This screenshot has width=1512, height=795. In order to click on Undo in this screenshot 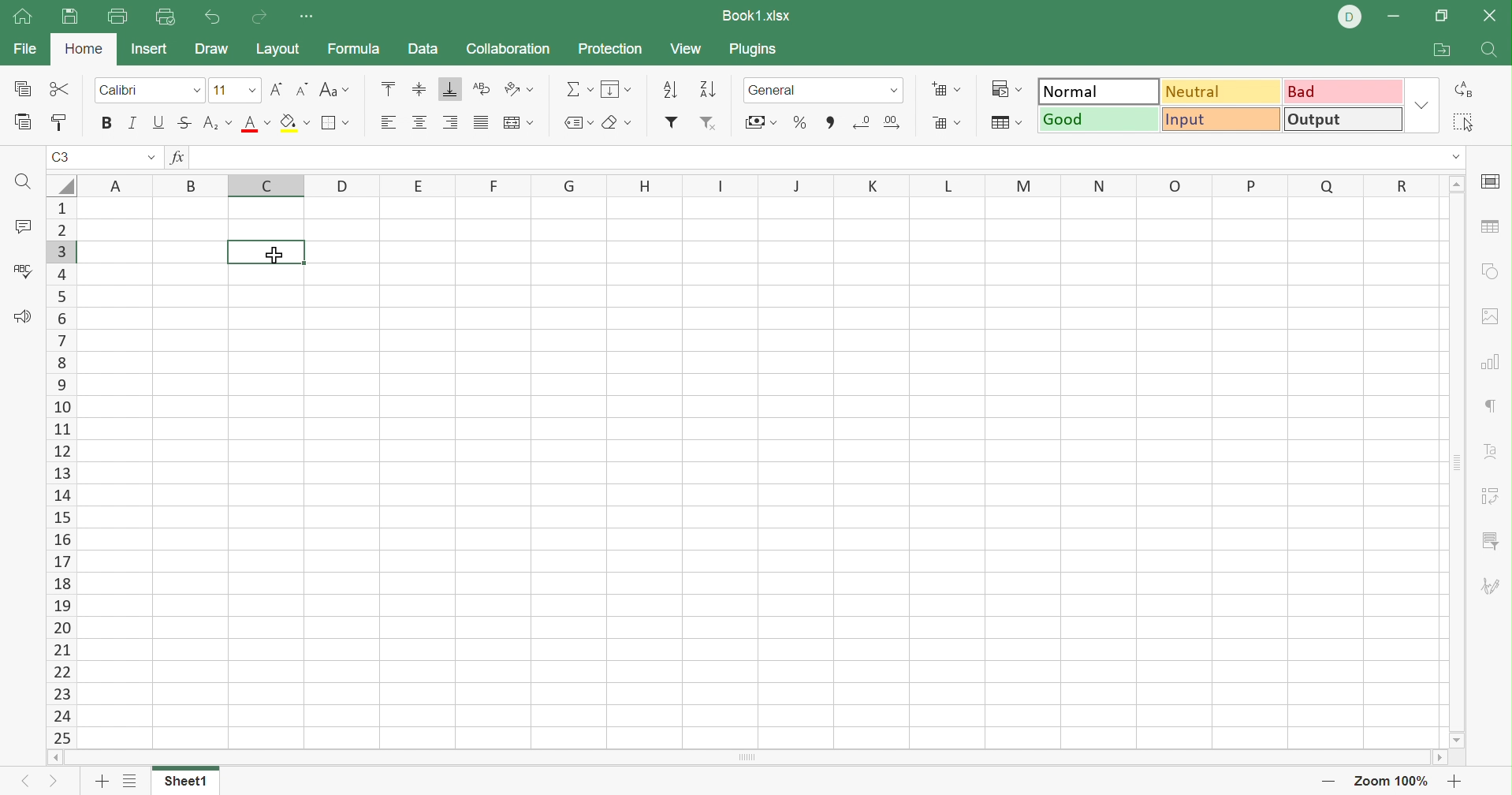, I will do `click(214, 17)`.